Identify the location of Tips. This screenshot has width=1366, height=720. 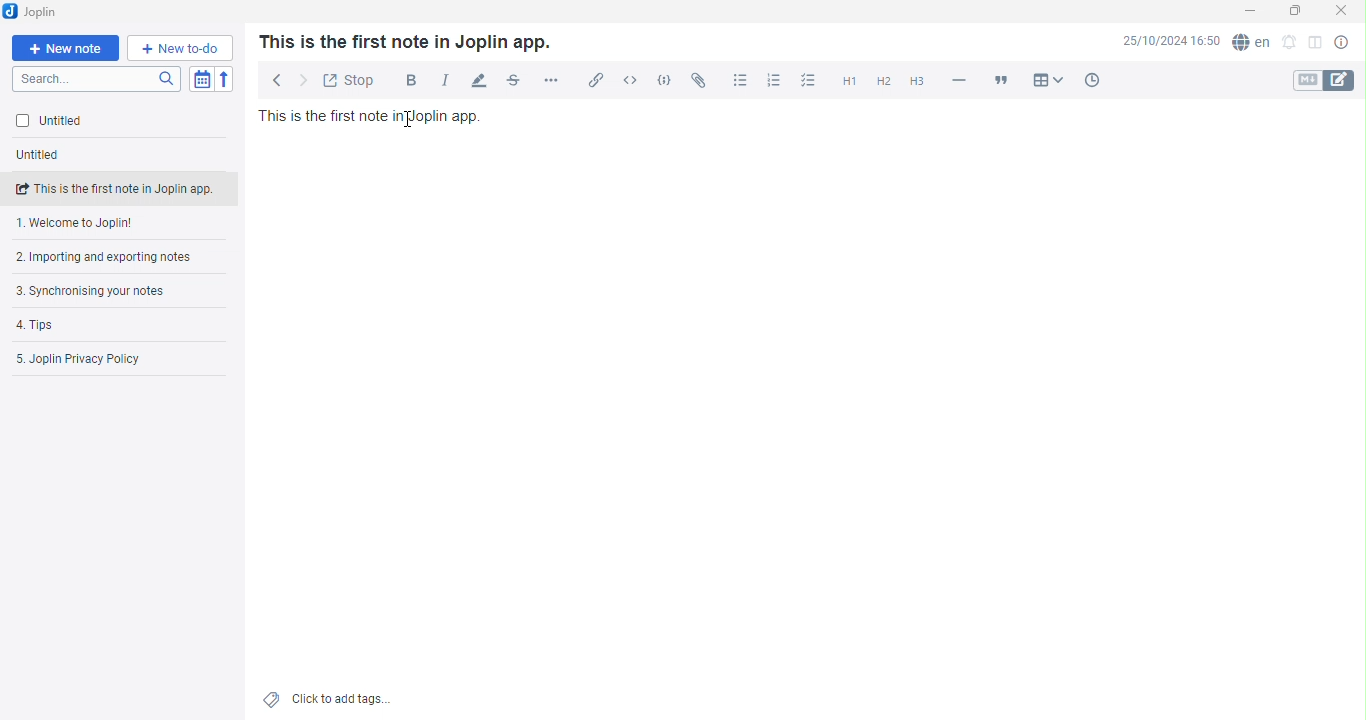
(94, 325).